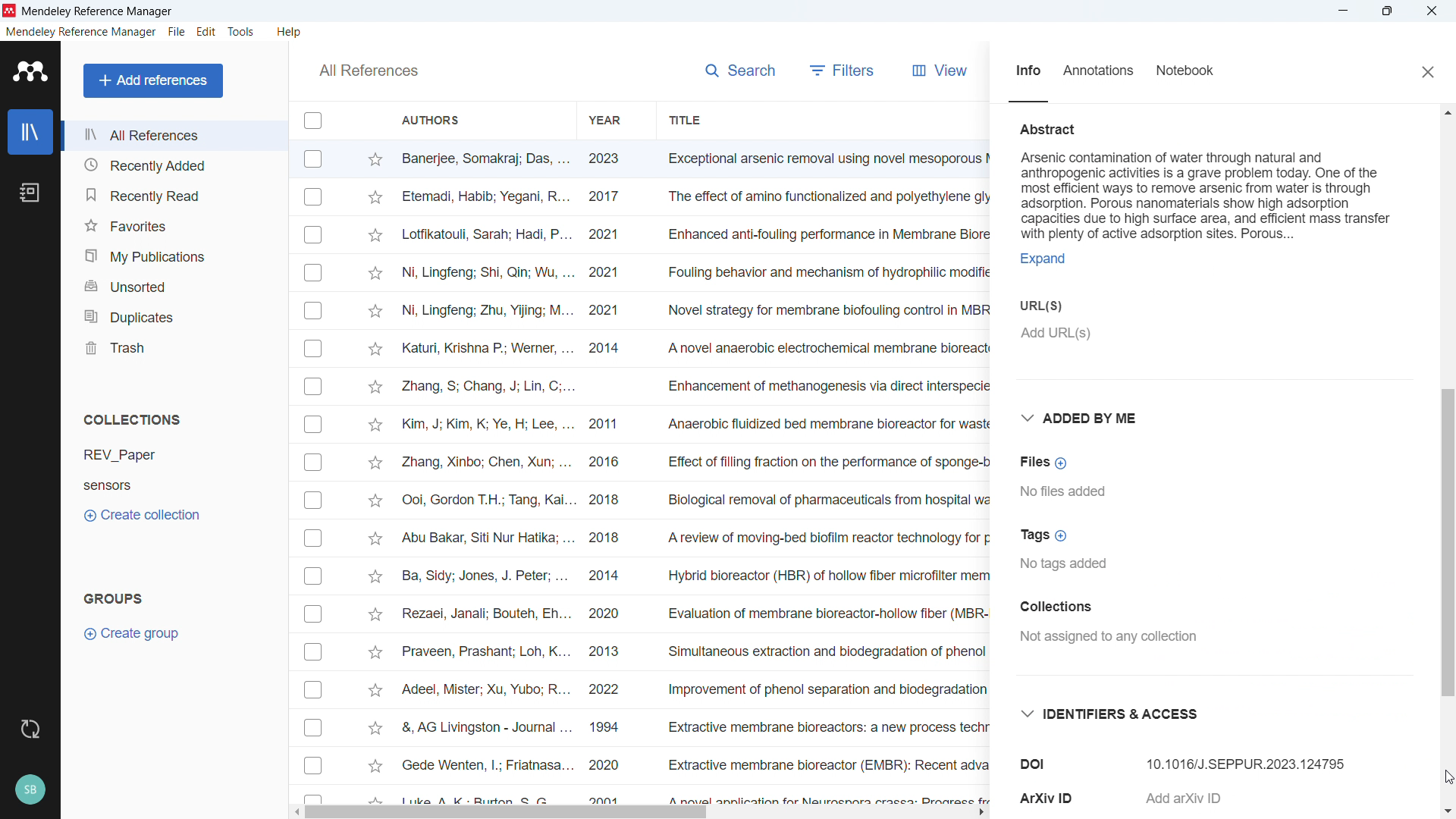 Image resolution: width=1456 pixels, height=819 pixels. I want to click on ni,lingfeng;shi,qin,wu, so click(488, 271).